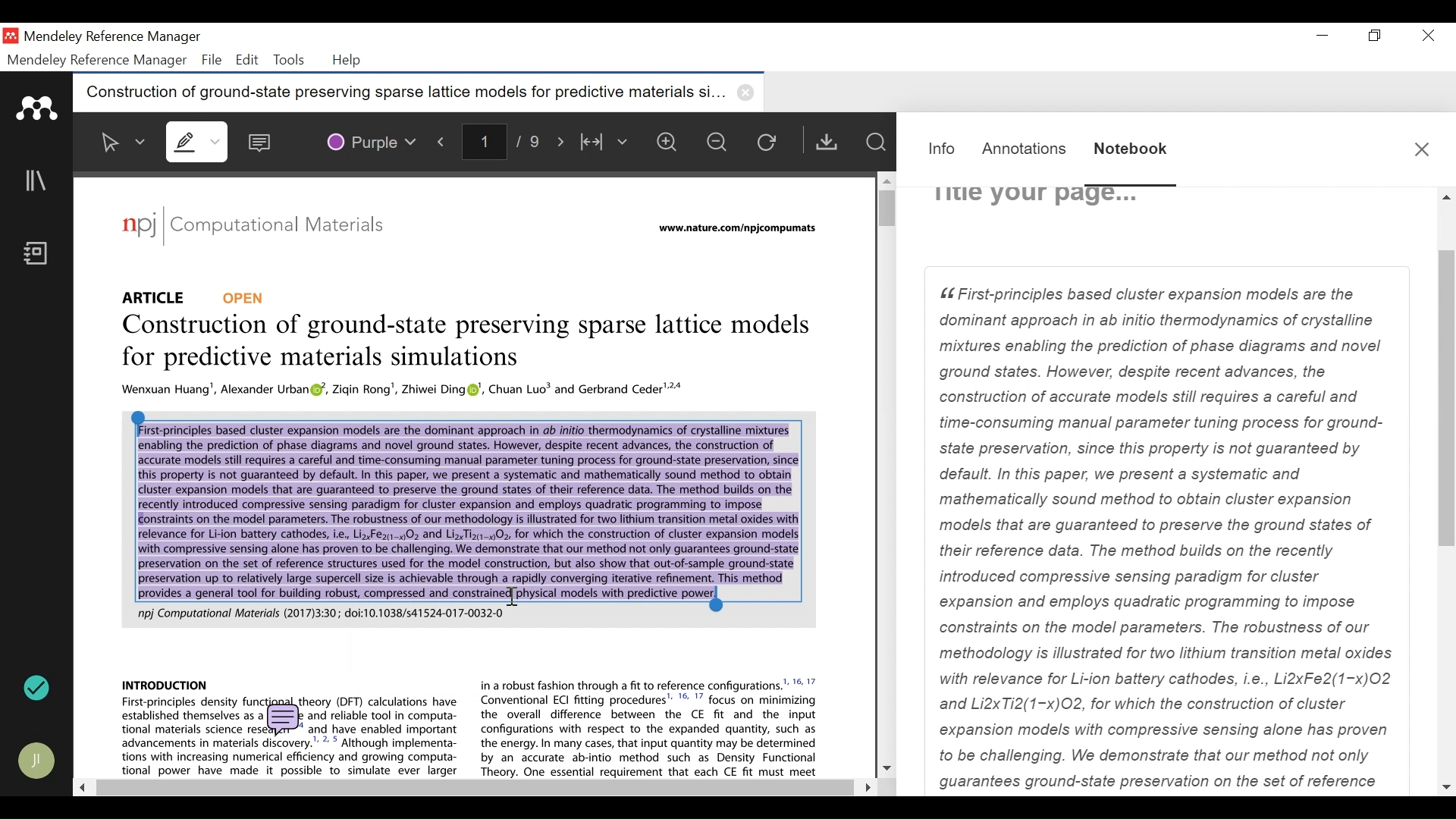  I want to click on Close, so click(1422, 149).